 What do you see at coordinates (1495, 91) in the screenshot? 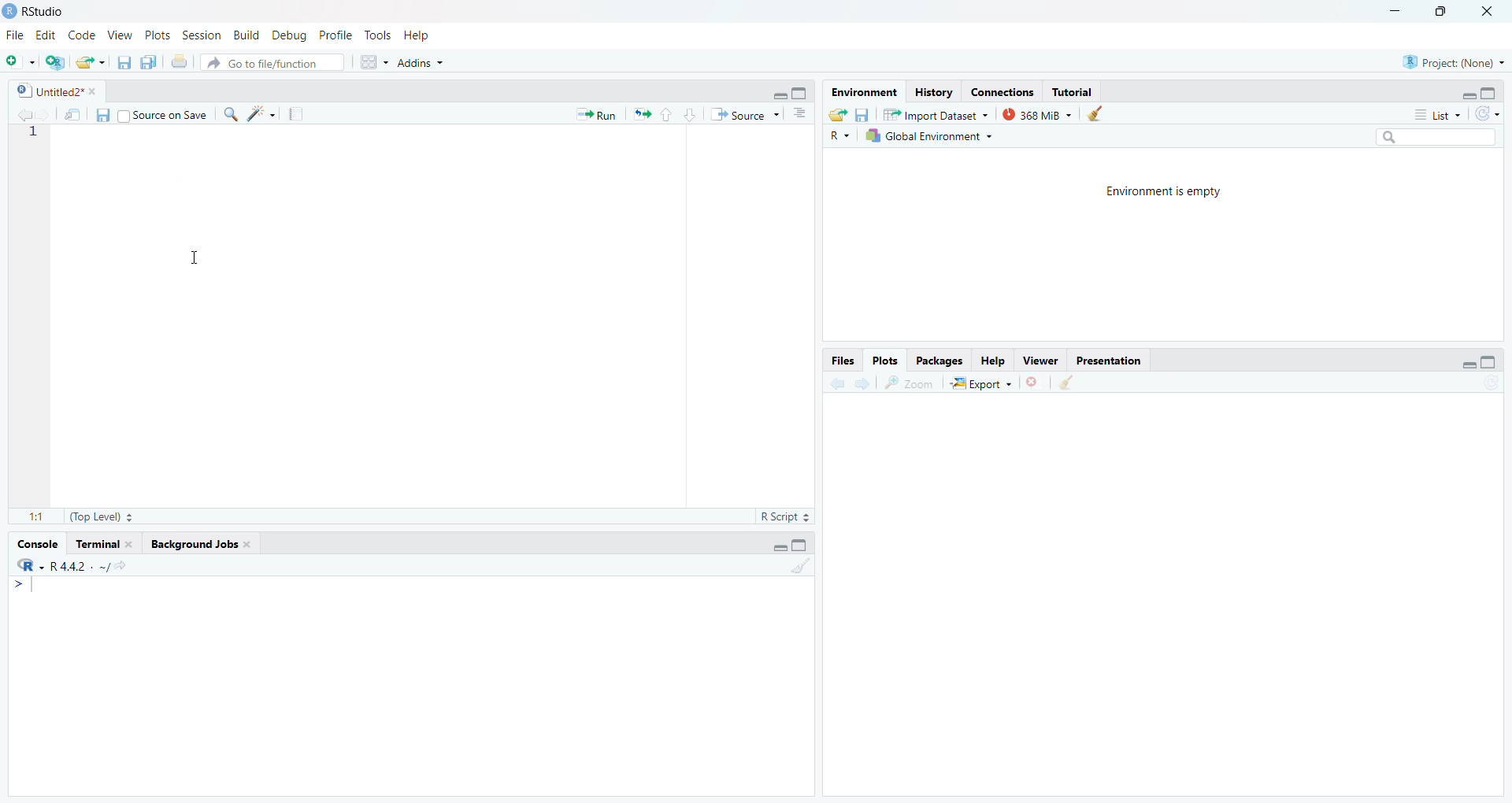
I see `maximise` at bounding box center [1495, 91].